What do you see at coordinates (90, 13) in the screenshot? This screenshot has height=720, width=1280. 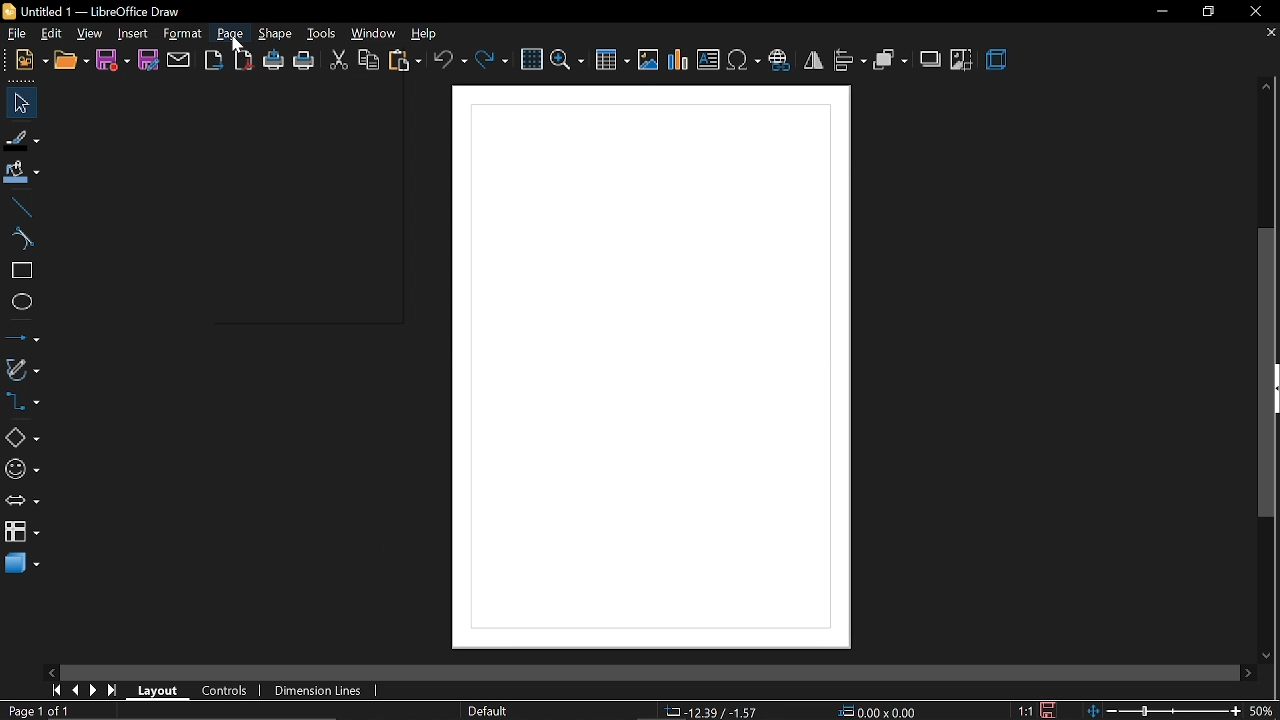 I see `Untitled 1 - LibreOffice Draw - current window` at bounding box center [90, 13].